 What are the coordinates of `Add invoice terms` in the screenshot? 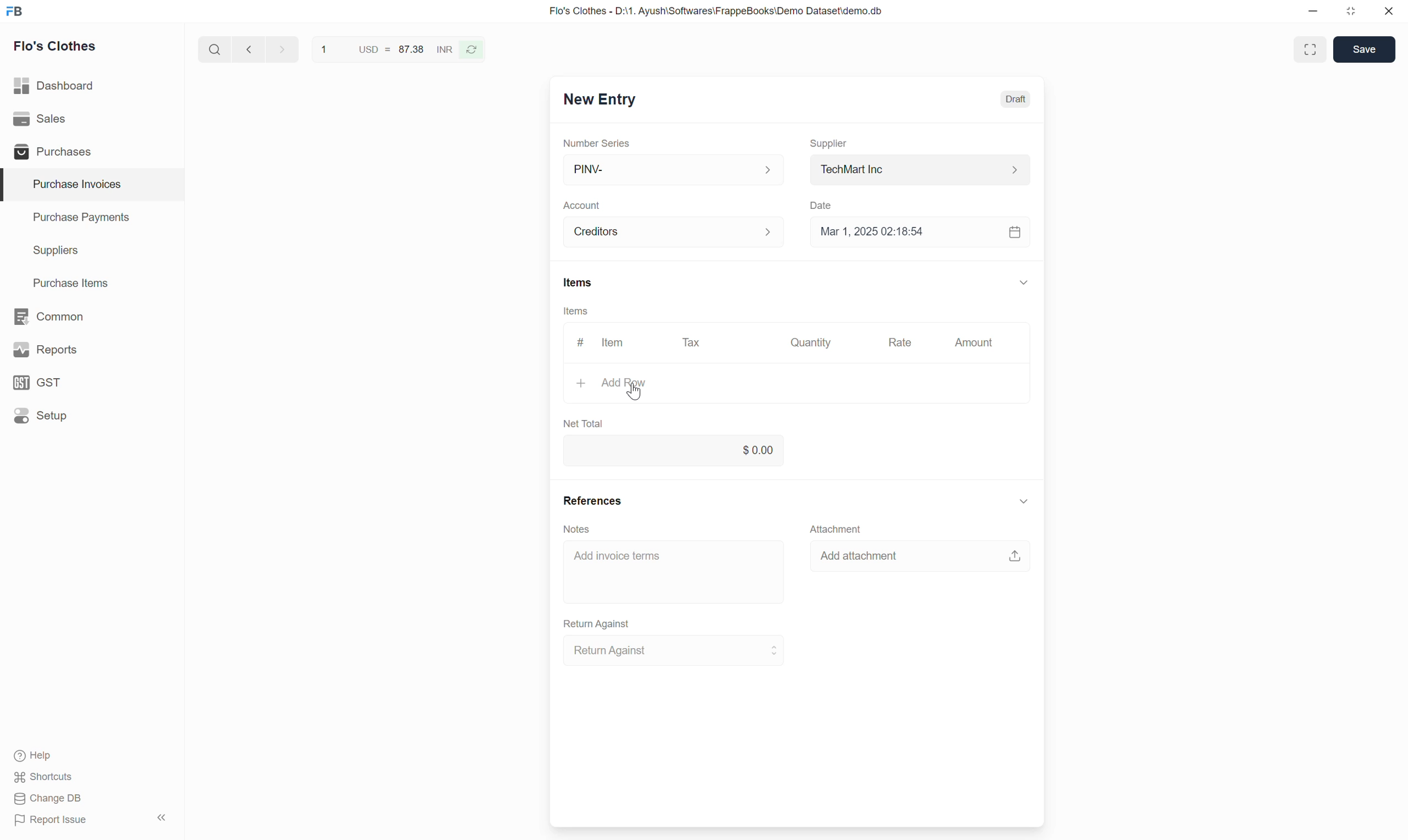 It's located at (675, 571).